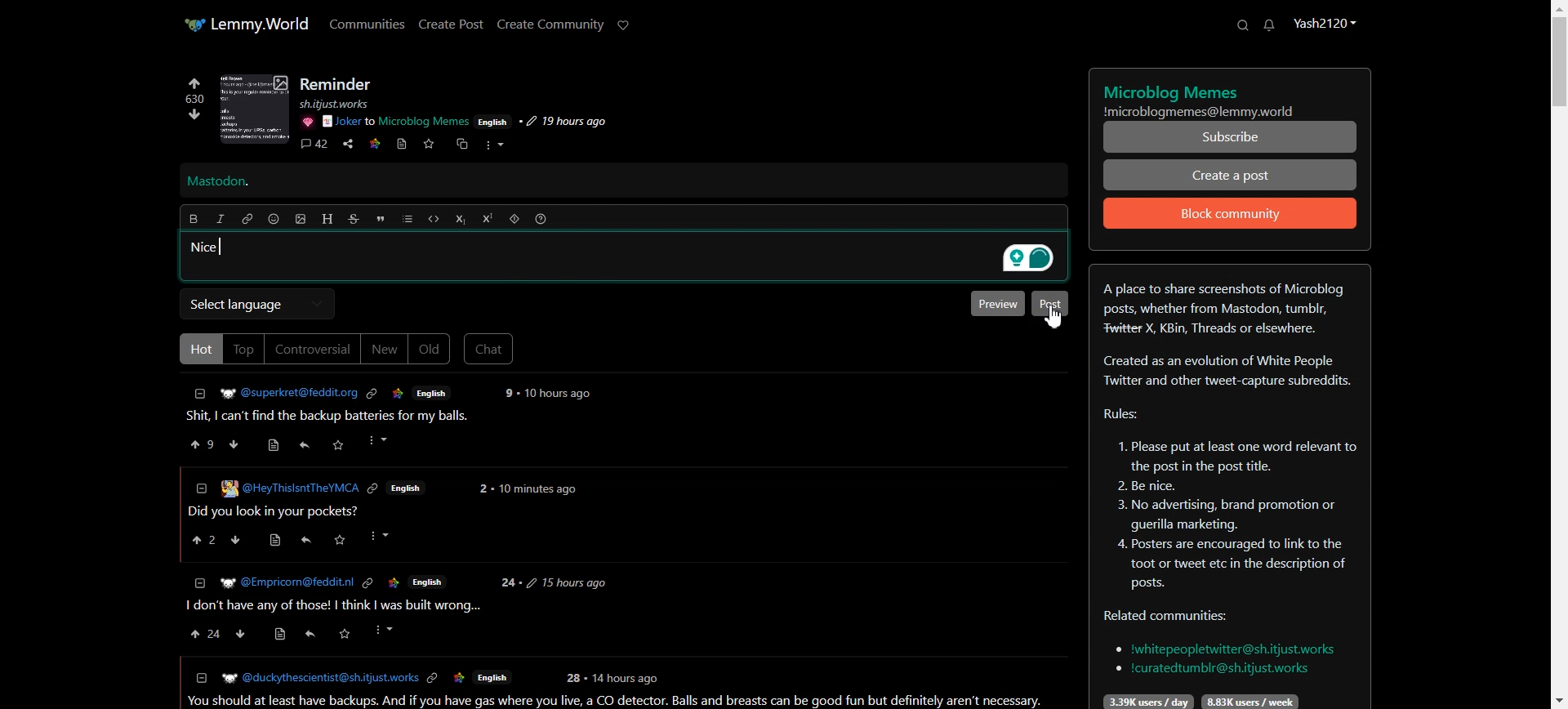 The image size is (1568, 709). Describe the element at coordinates (290, 487) in the screenshot. I see `RB @HeyThislsntTheYMCA @` at that location.